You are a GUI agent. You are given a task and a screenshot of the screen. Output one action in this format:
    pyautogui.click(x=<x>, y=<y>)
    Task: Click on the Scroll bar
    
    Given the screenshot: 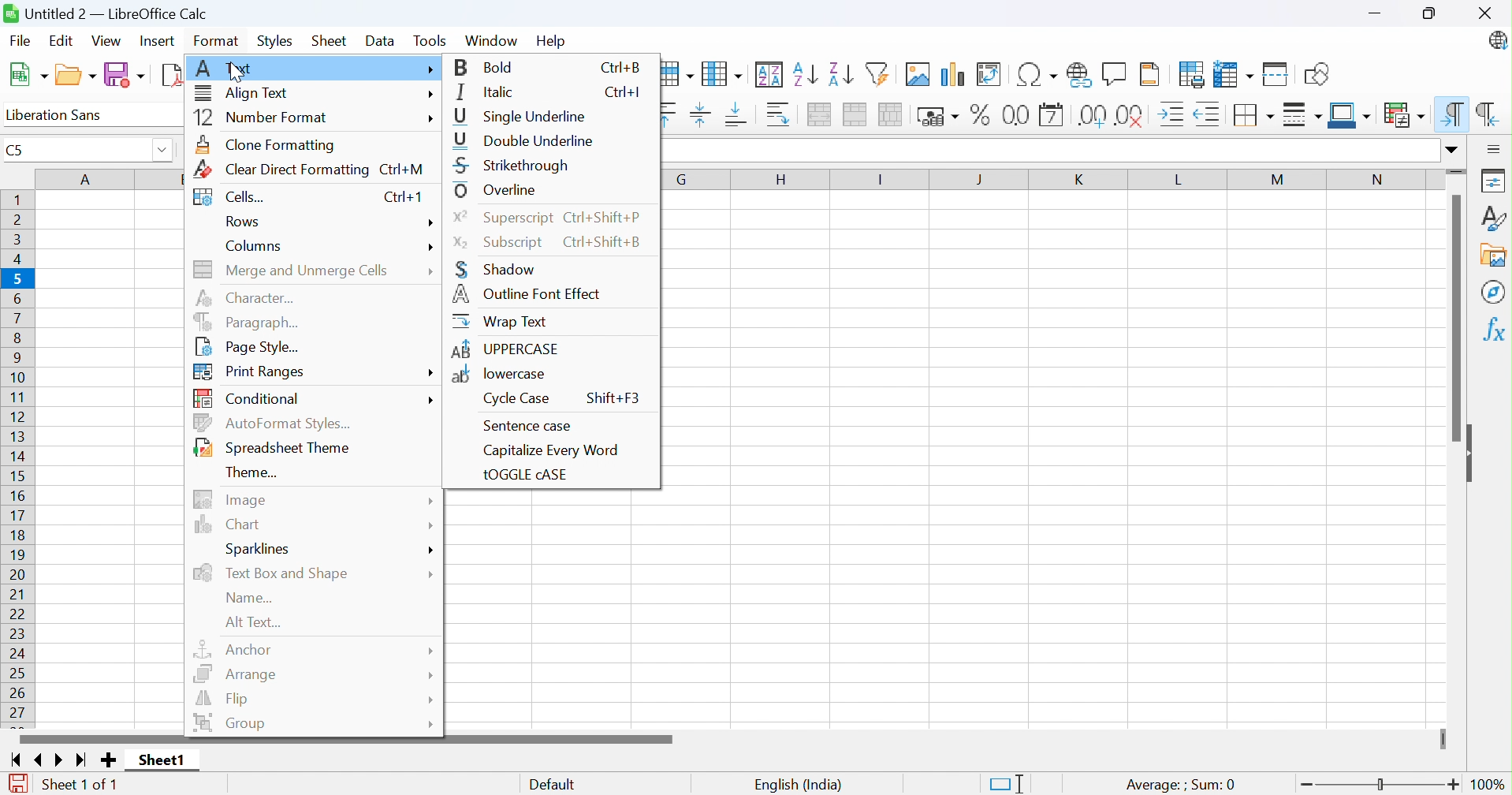 What is the action you would take?
    pyautogui.click(x=344, y=739)
    